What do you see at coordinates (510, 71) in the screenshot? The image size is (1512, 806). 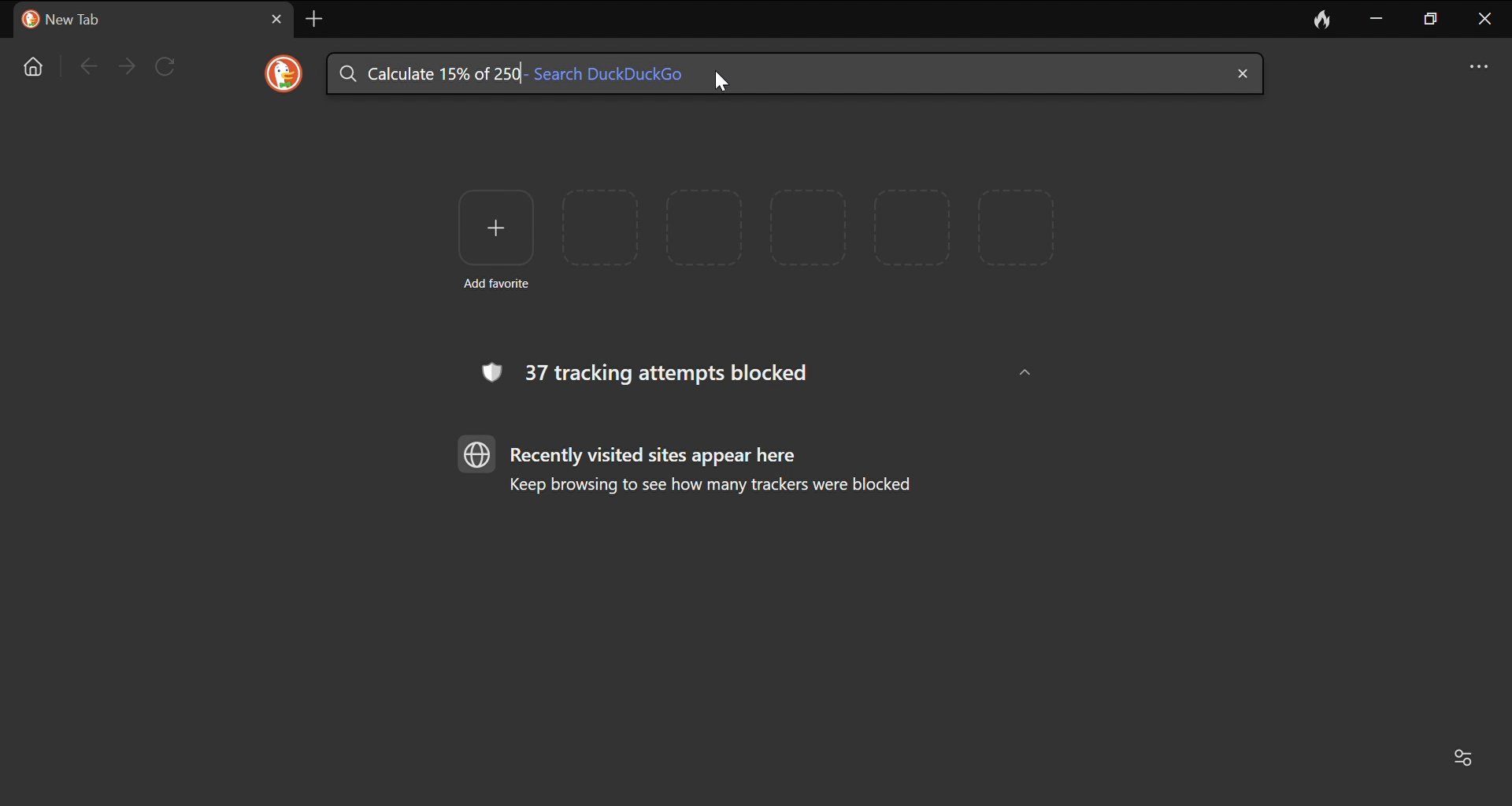 I see `searched text: Calculate 15% of 250- Search DuckDuckGo` at bounding box center [510, 71].